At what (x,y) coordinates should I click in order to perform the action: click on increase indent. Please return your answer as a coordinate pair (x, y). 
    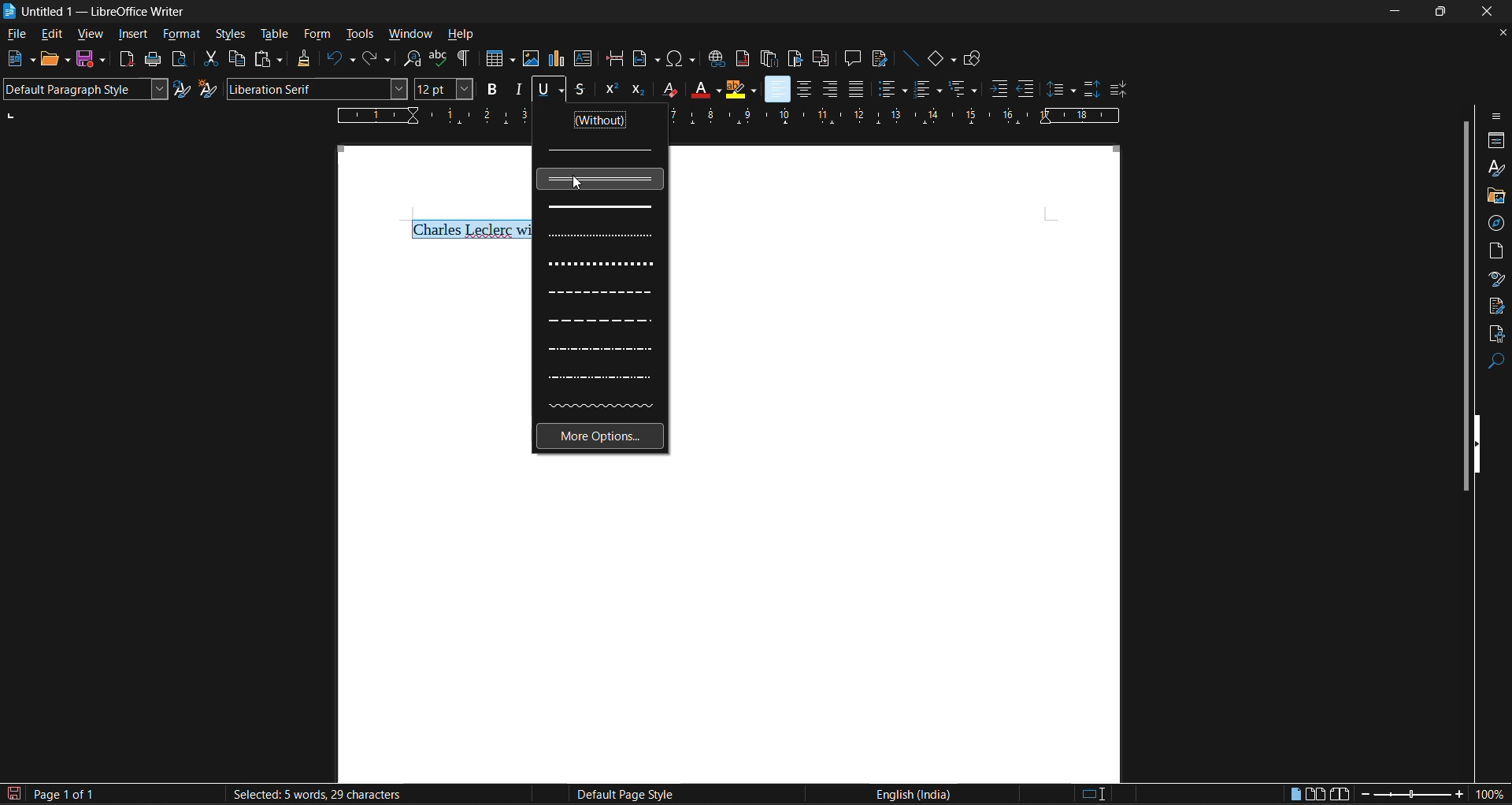
    Looking at the image, I should click on (1000, 88).